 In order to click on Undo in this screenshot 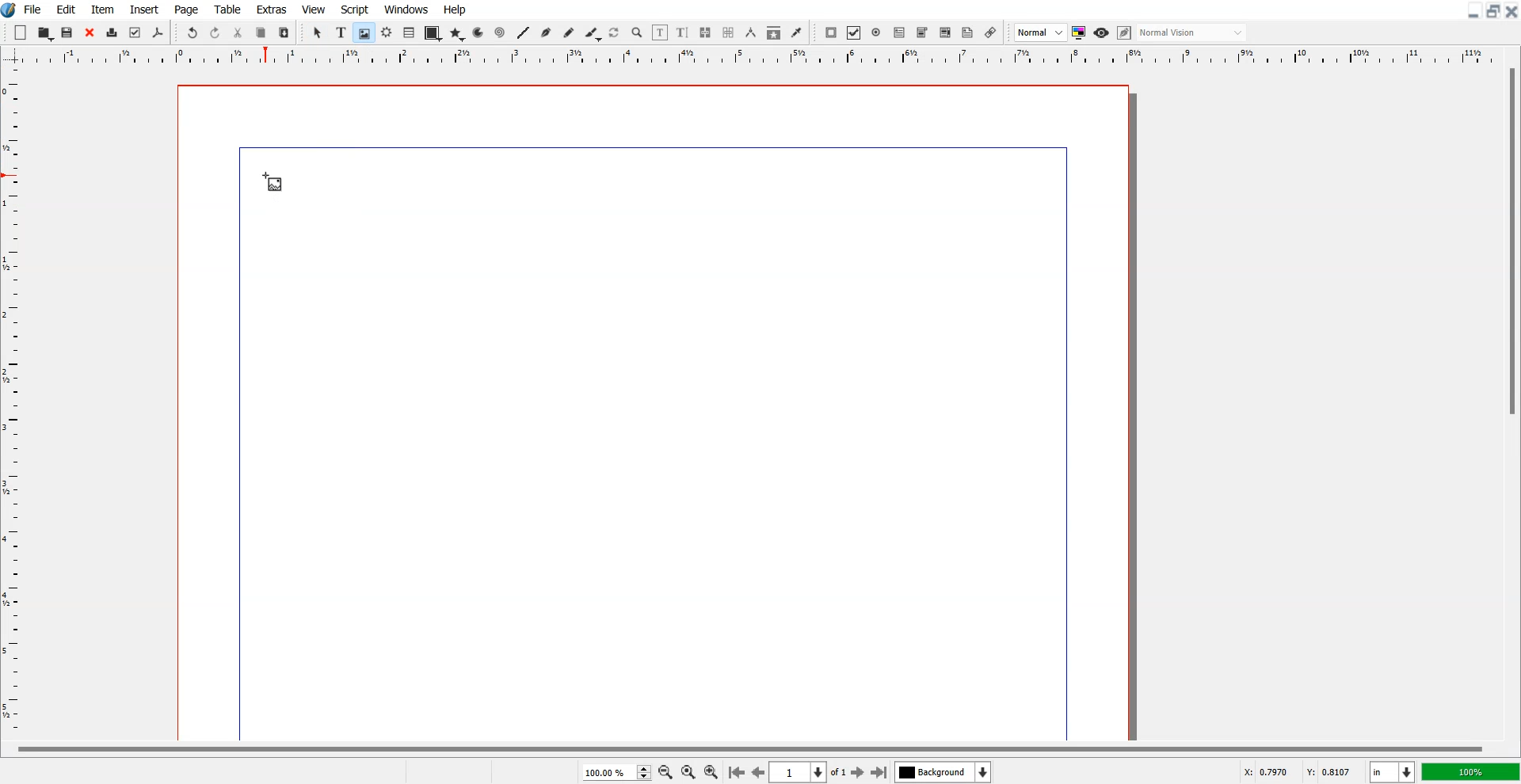, I will do `click(193, 32)`.